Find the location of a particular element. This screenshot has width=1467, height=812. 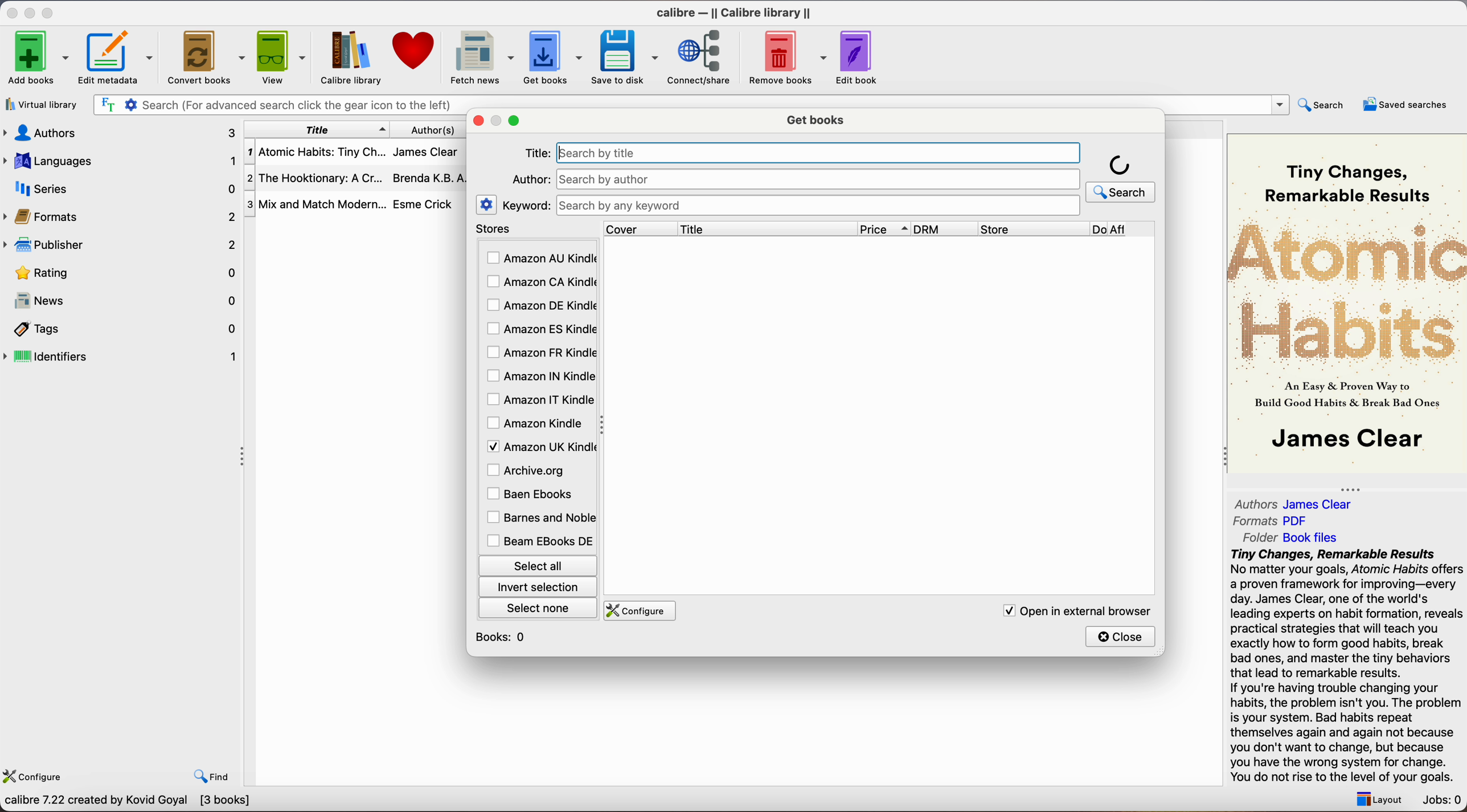

remove books is located at coordinates (788, 59).